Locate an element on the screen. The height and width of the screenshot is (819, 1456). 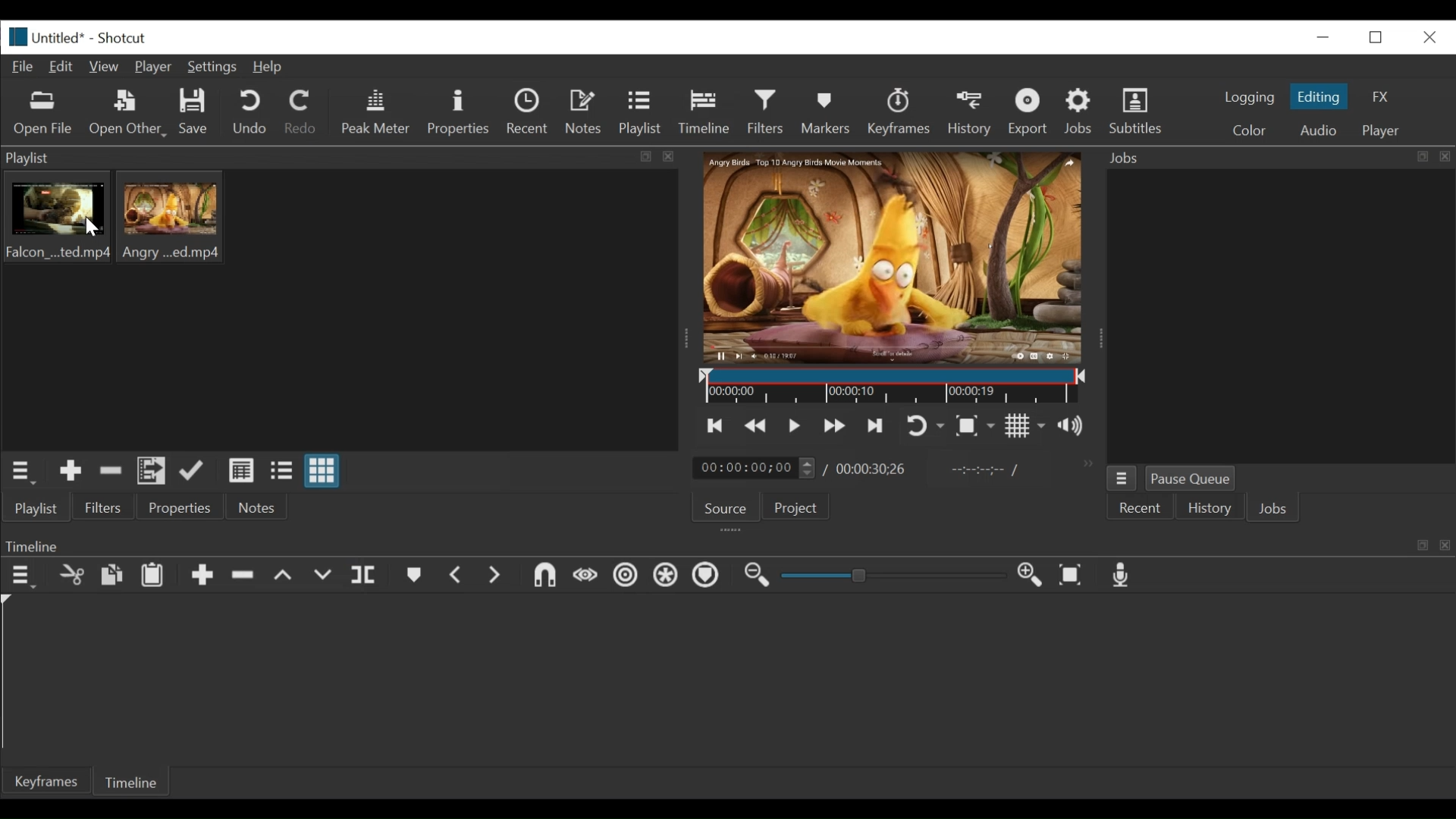
jobs panel is located at coordinates (1280, 315).